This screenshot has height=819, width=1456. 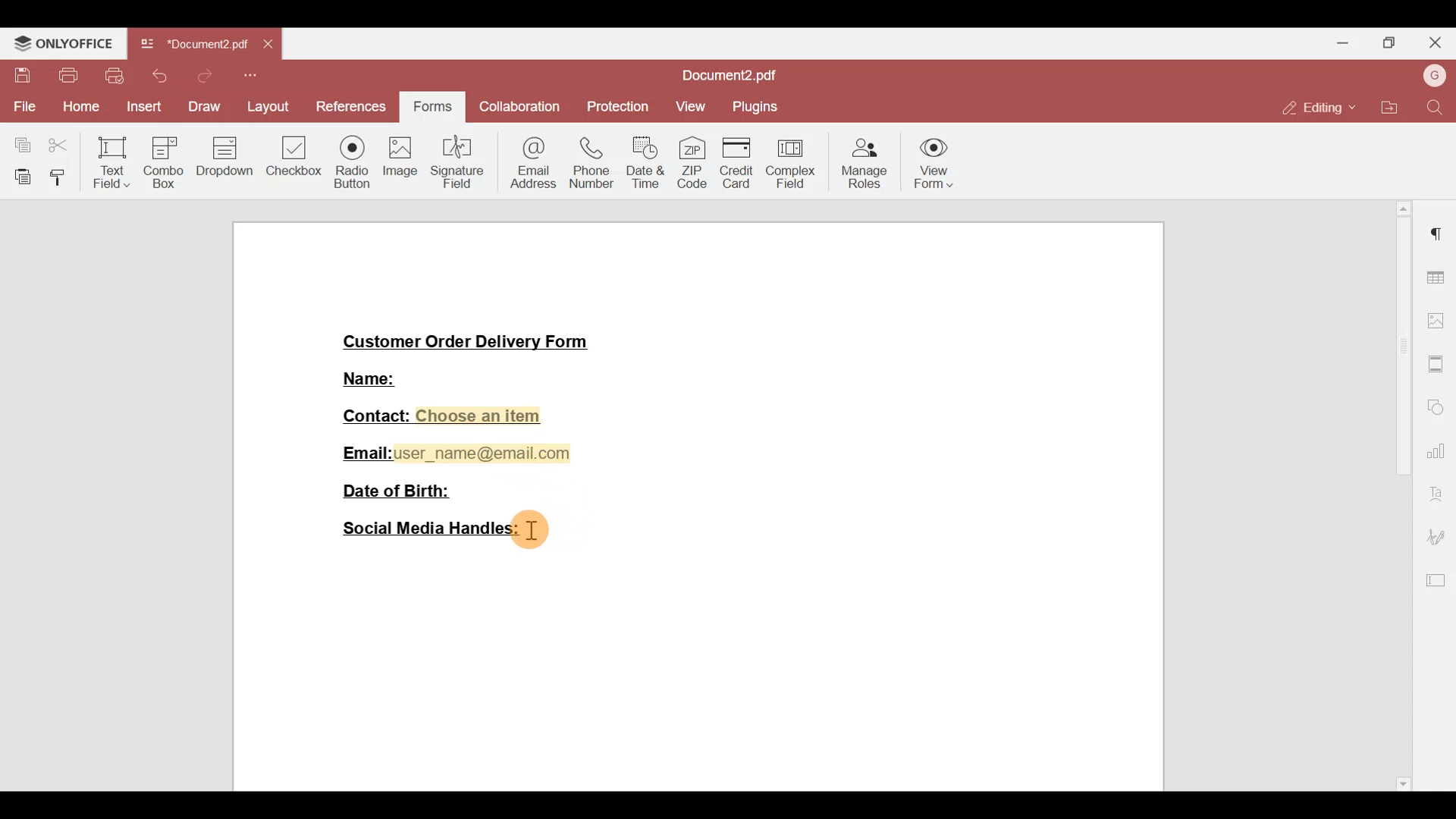 What do you see at coordinates (736, 76) in the screenshot?
I see `Document2.pdf` at bounding box center [736, 76].